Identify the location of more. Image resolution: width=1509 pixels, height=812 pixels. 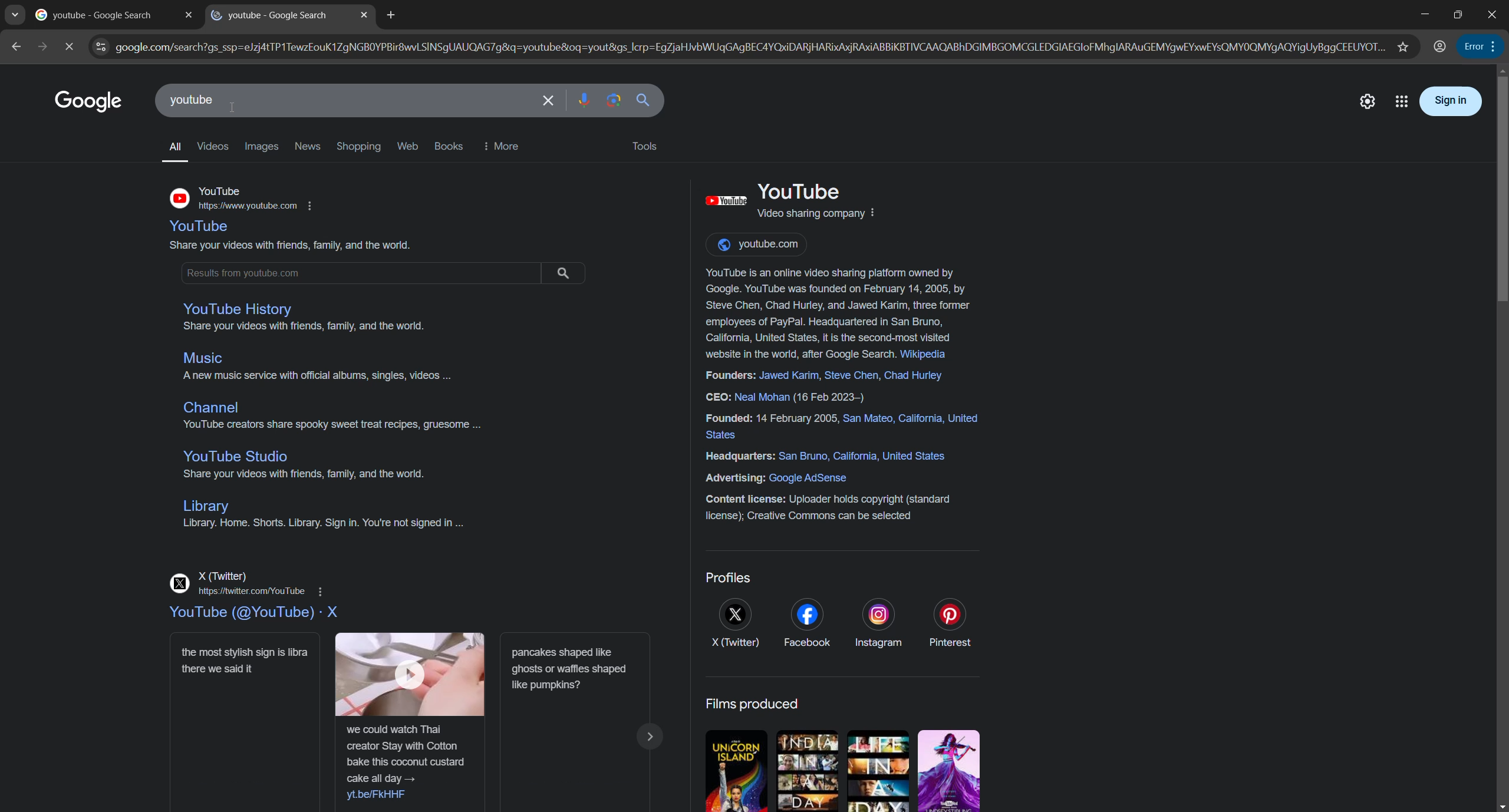
(505, 146).